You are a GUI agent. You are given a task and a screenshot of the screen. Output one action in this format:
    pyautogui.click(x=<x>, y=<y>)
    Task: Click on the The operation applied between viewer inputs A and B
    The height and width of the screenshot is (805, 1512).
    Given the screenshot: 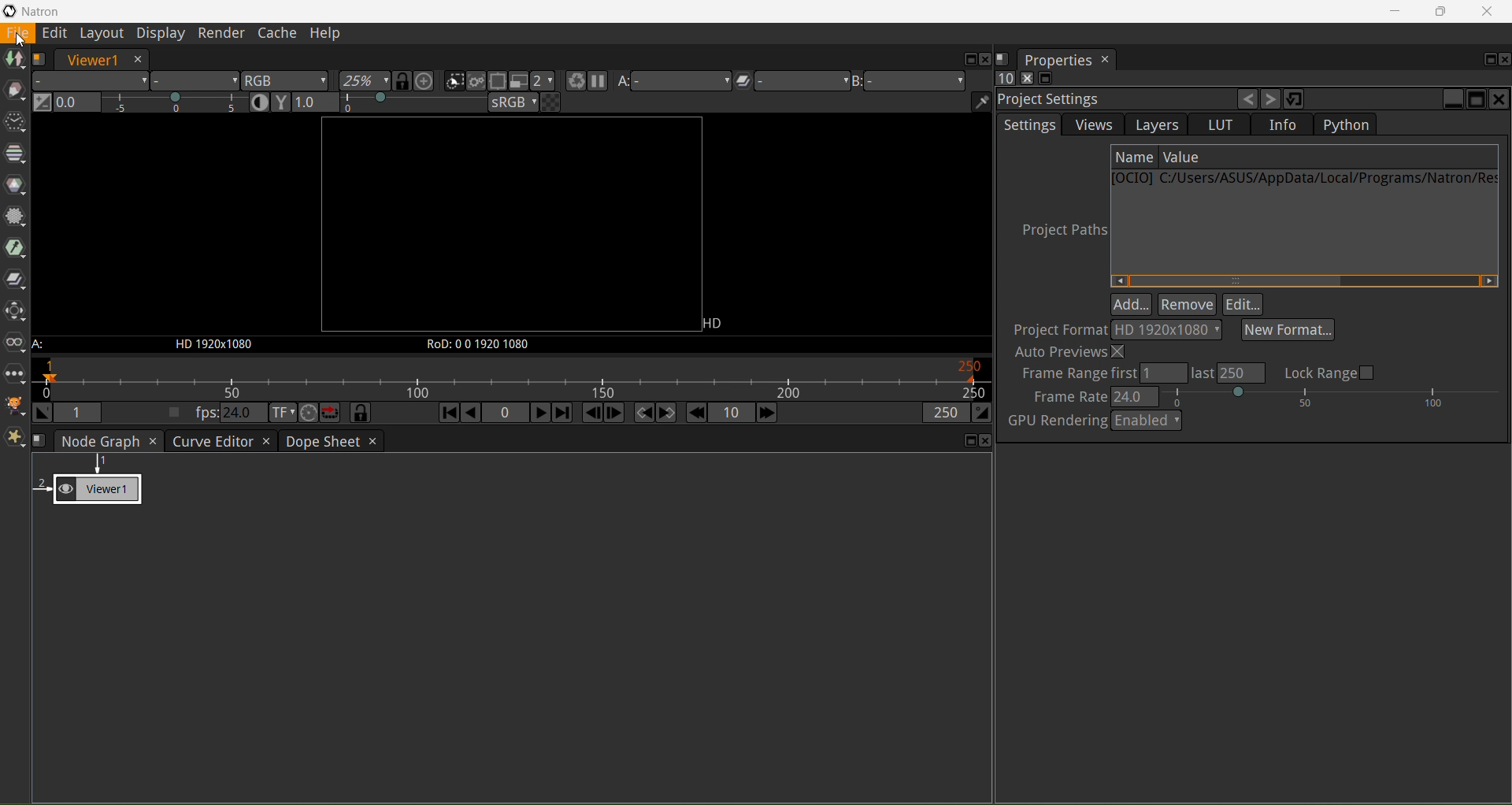 What is the action you would take?
    pyautogui.click(x=791, y=81)
    